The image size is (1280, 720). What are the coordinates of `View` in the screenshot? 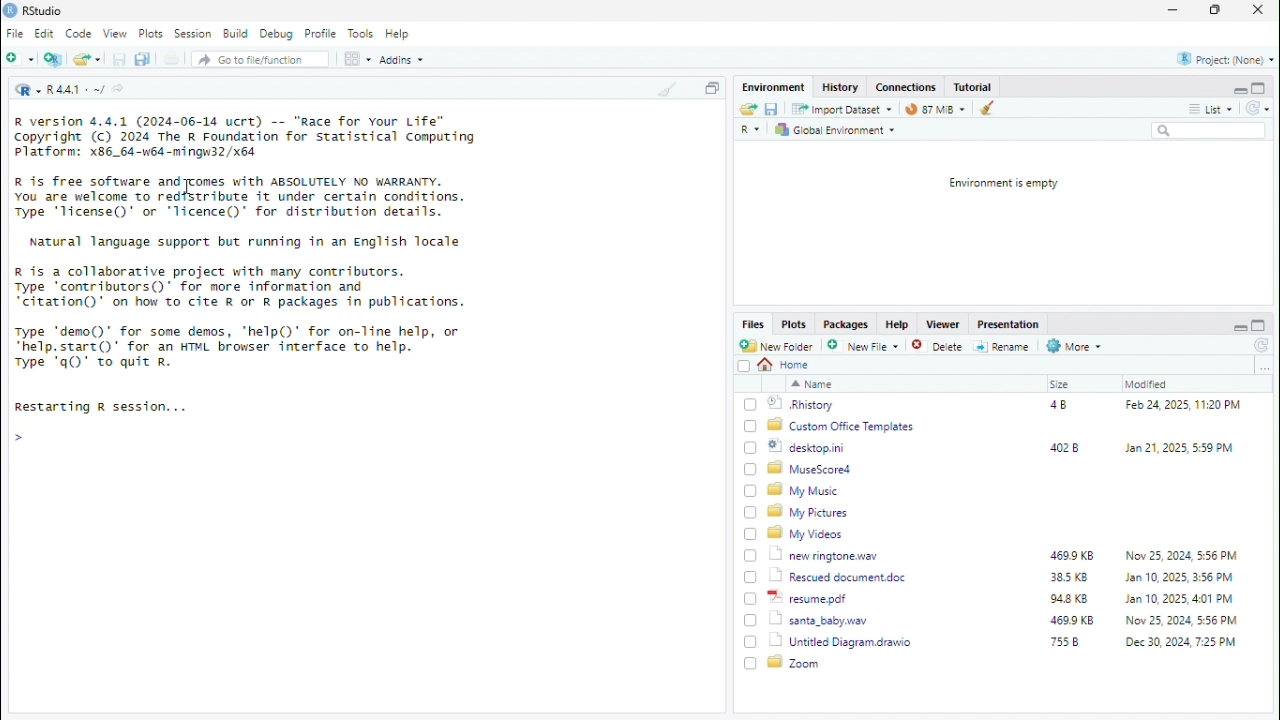 It's located at (115, 34).